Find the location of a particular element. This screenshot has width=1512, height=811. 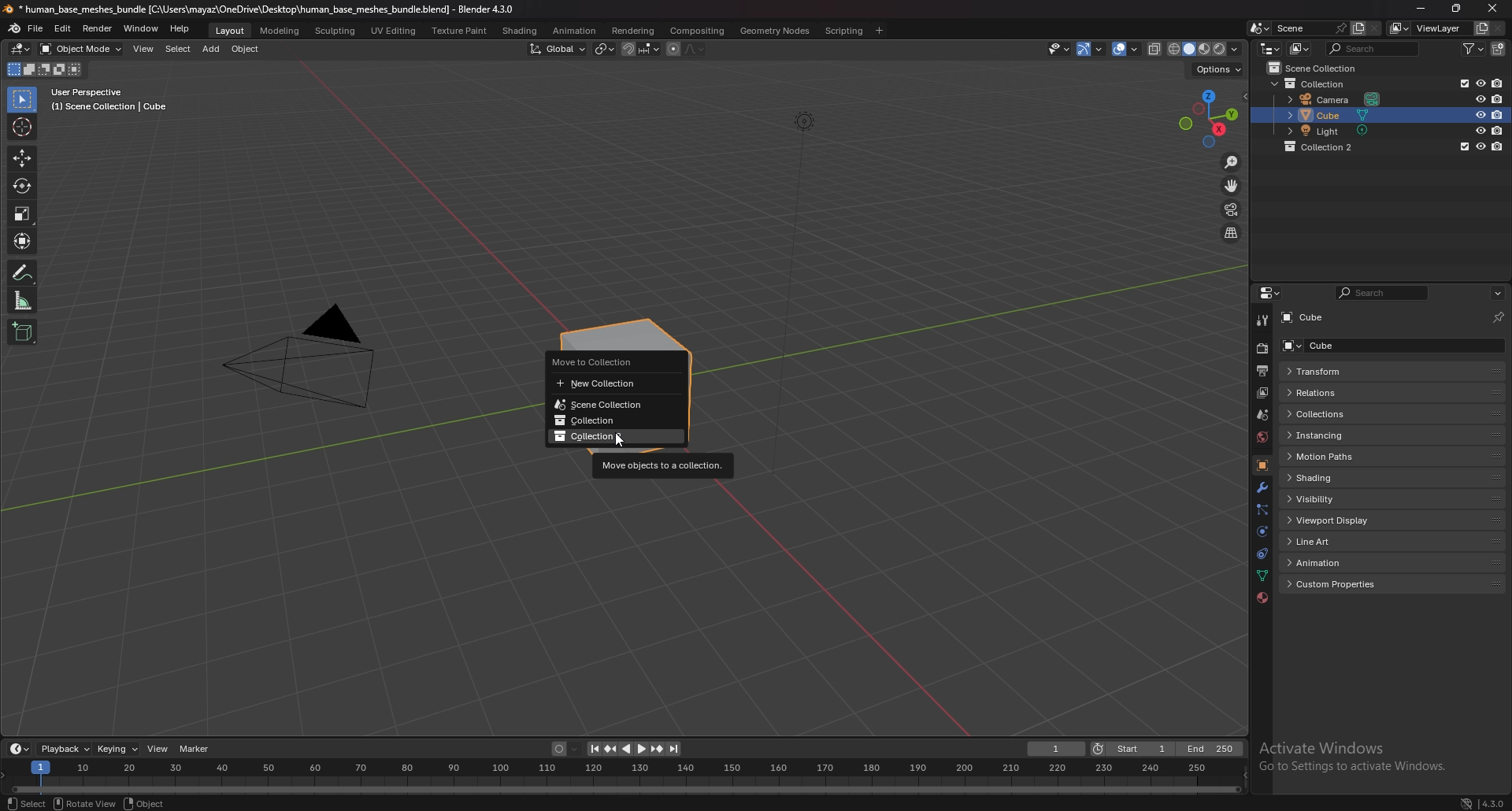

view is located at coordinates (145, 49).